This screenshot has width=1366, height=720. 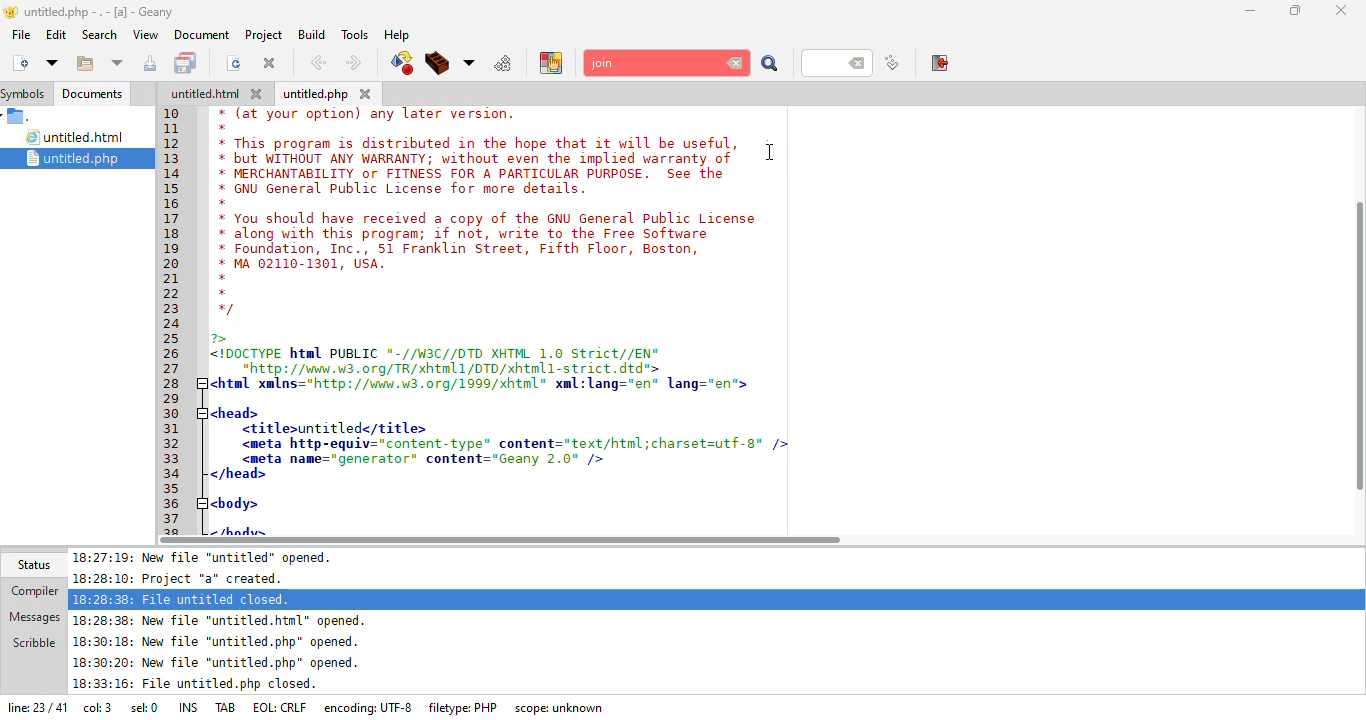 I want to click on choose more, so click(x=469, y=63).